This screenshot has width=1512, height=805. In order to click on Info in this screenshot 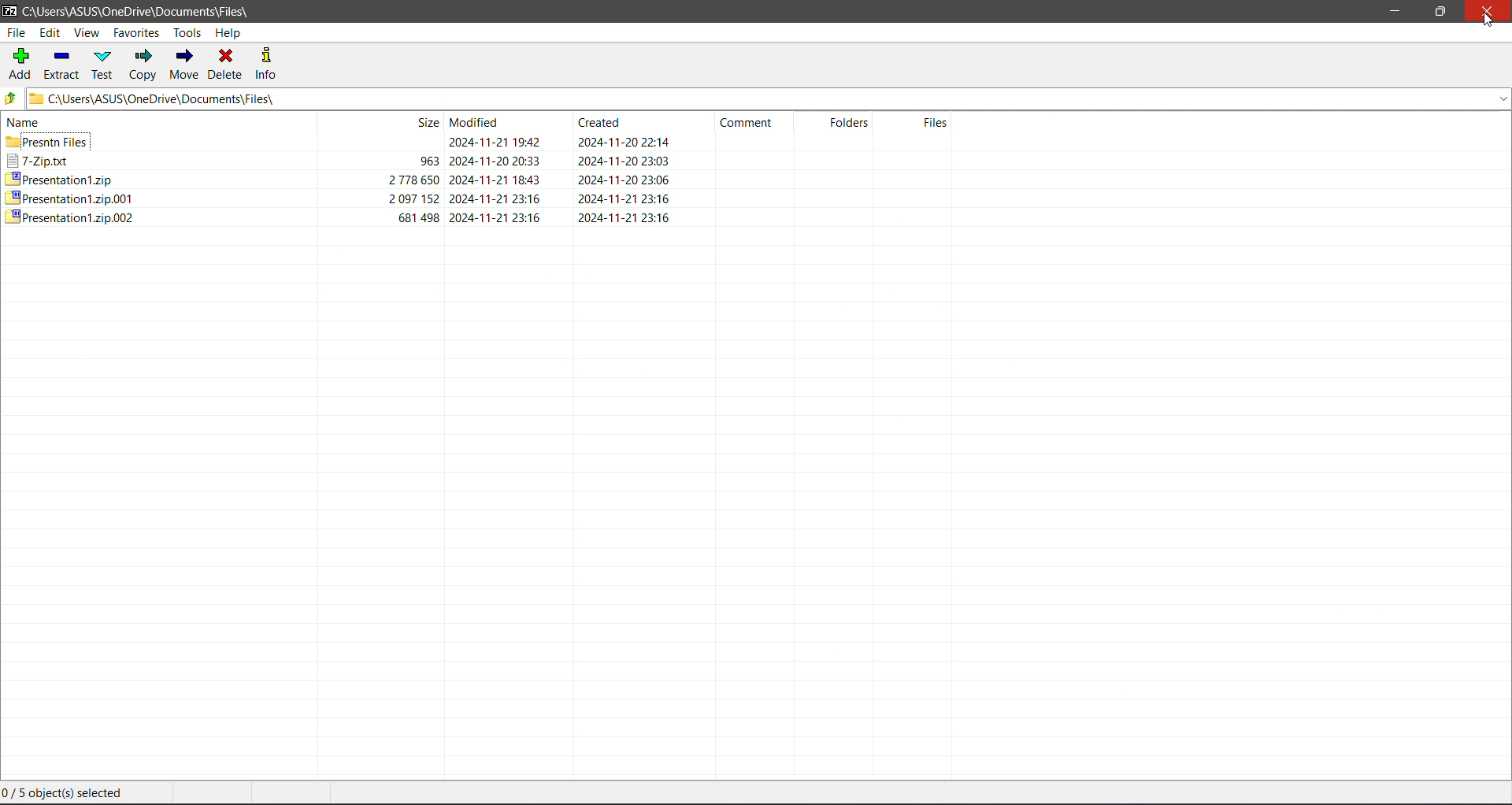, I will do `click(267, 63)`.